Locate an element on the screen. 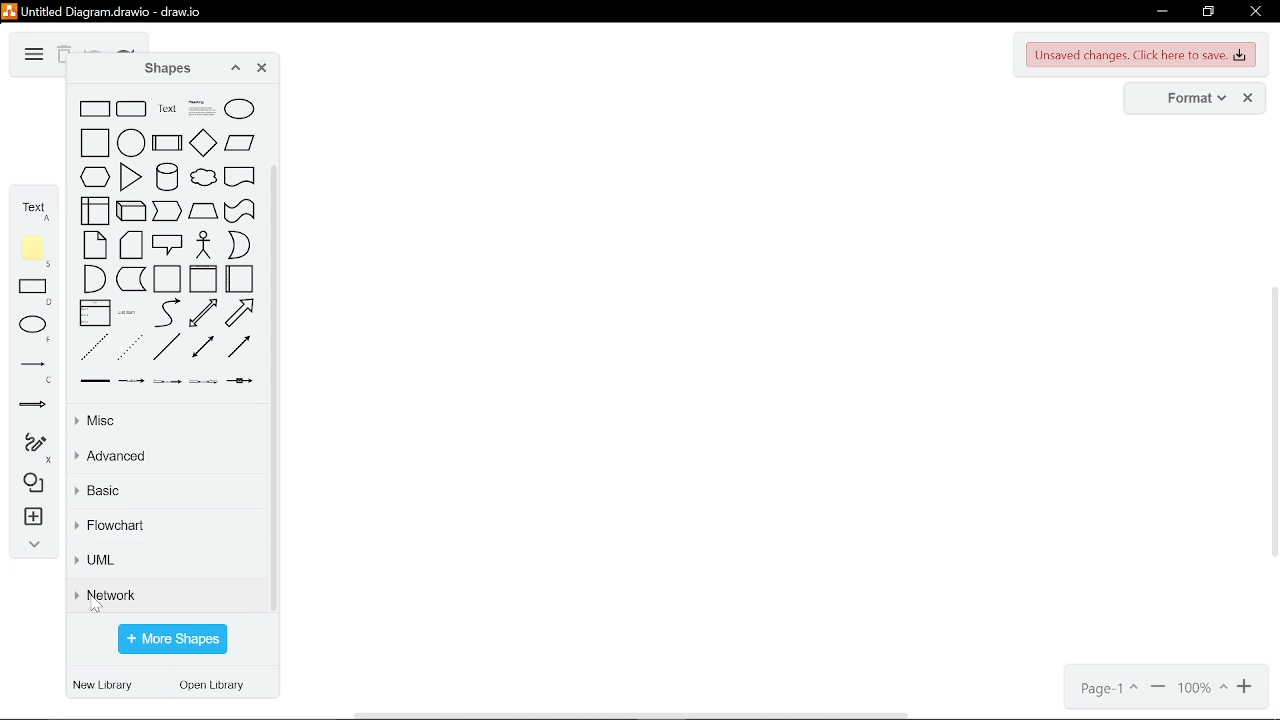 Image resolution: width=1280 pixels, height=720 pixels. container is located at coordinates (167, 279).